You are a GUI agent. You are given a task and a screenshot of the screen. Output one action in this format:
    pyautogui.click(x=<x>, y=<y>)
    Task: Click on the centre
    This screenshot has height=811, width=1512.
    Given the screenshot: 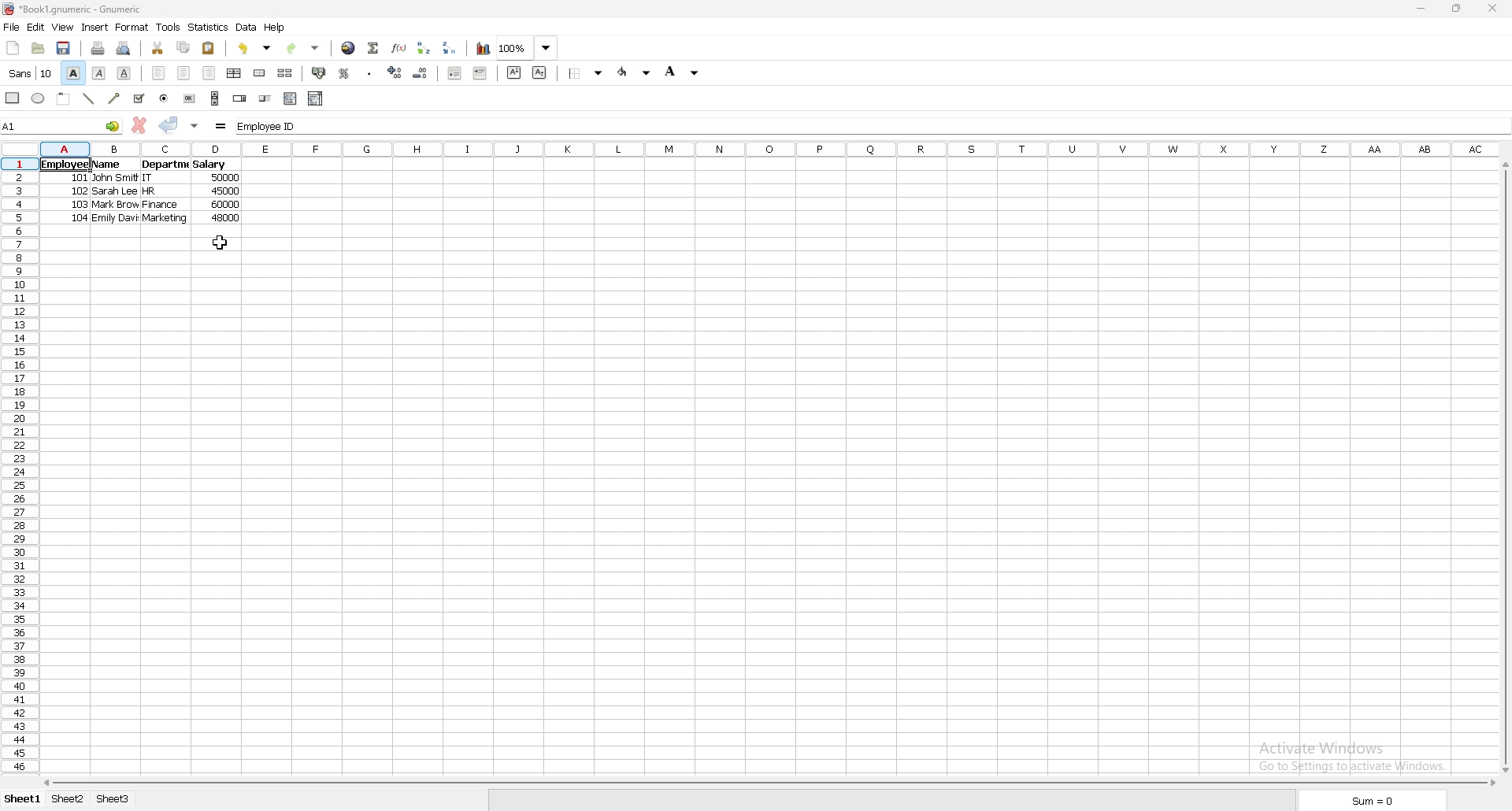 What is the action you would take?
    pyautogui.click(x=184, y=73)
    